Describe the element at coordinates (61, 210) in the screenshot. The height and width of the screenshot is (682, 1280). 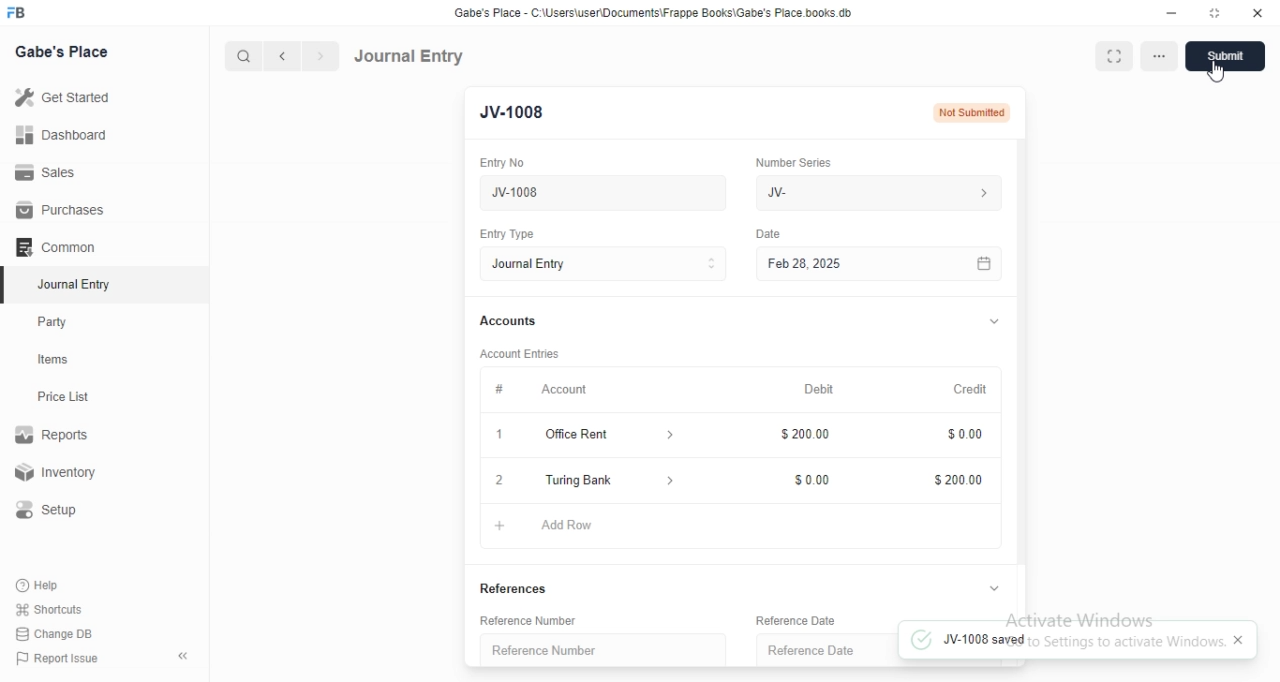
I see `Purchases` at that location.